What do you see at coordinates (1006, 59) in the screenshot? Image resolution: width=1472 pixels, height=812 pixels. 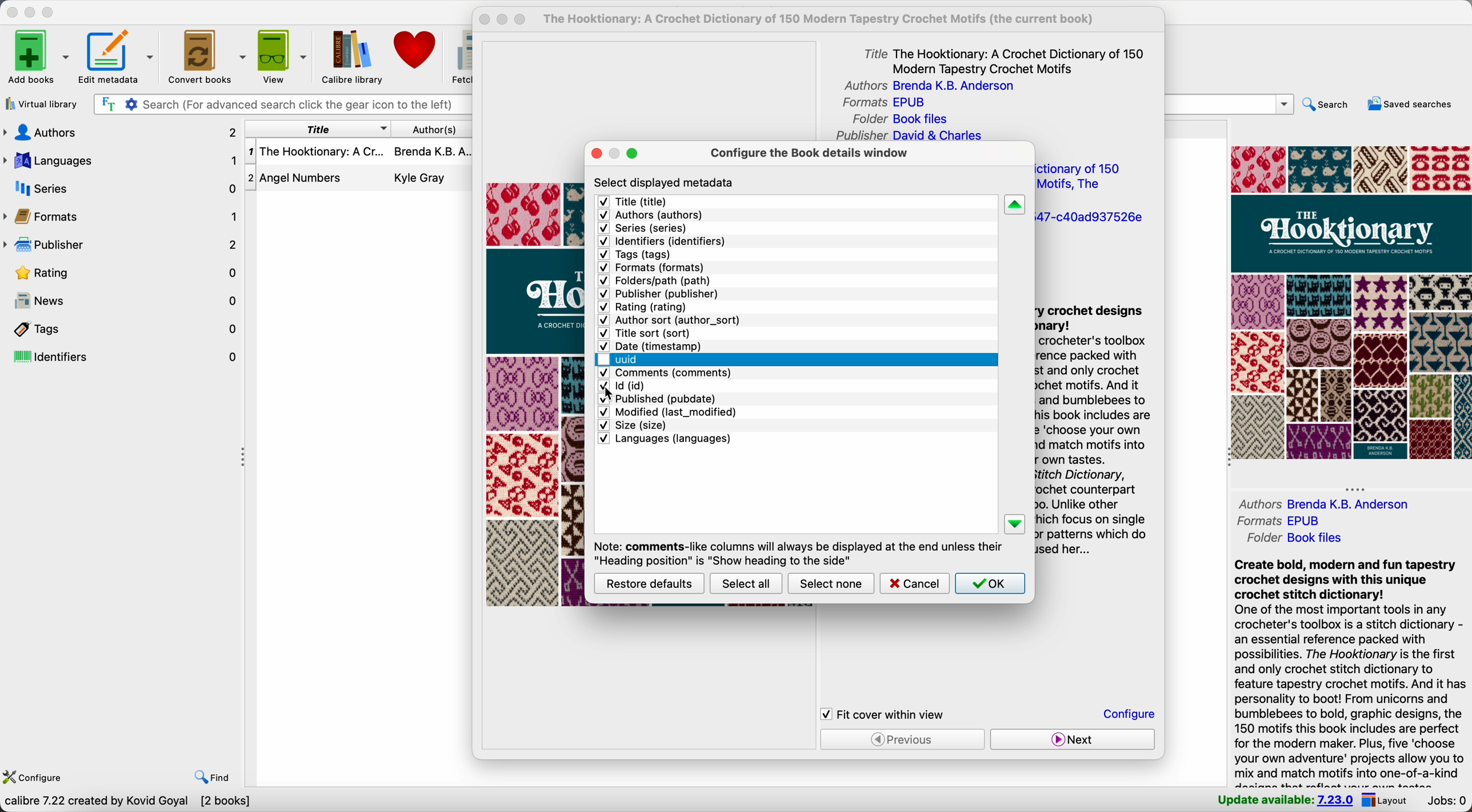 I see `title` at bounding box center [1006, 59].